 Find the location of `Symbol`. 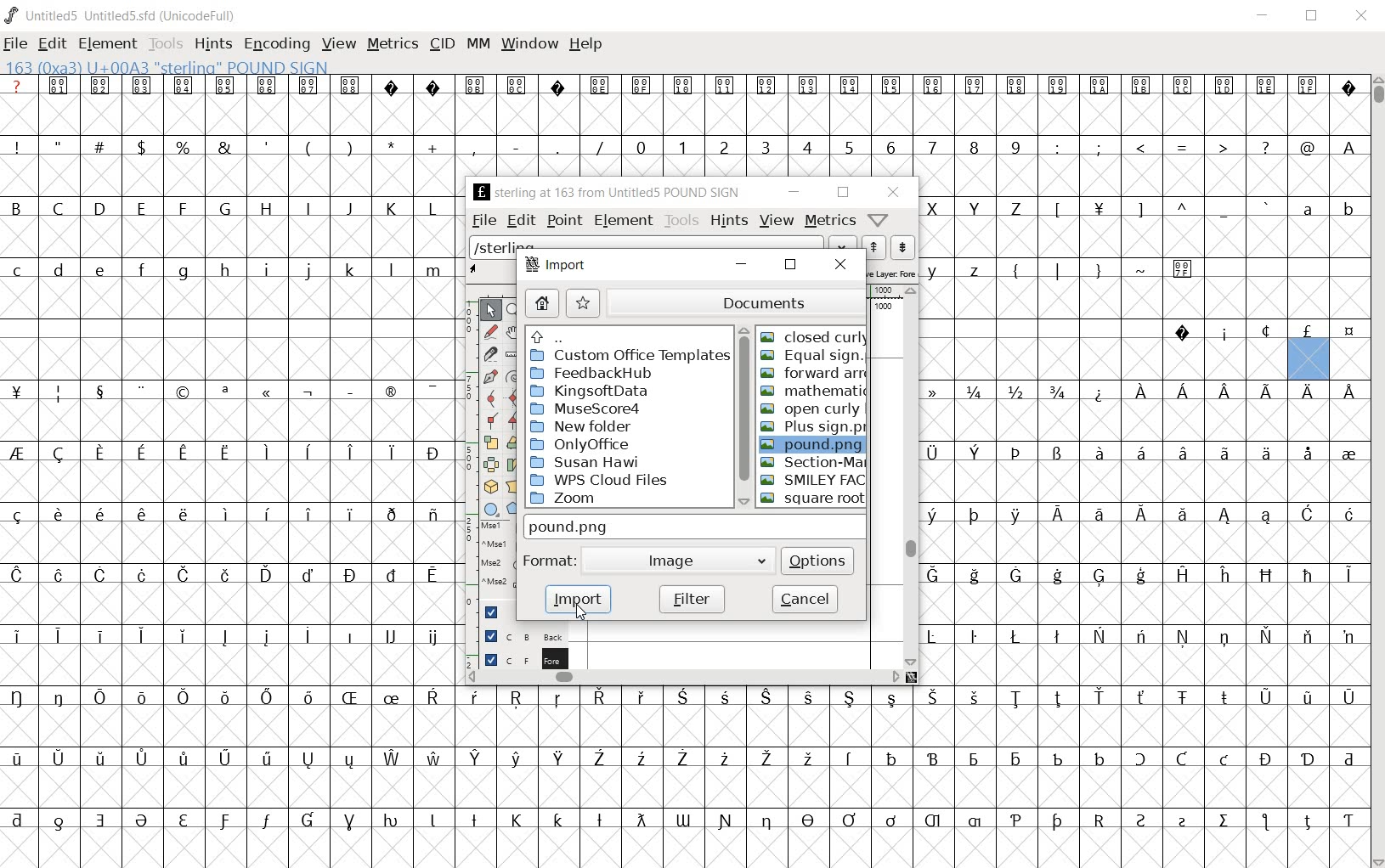

Symbol is located at coordinates (390, 453).